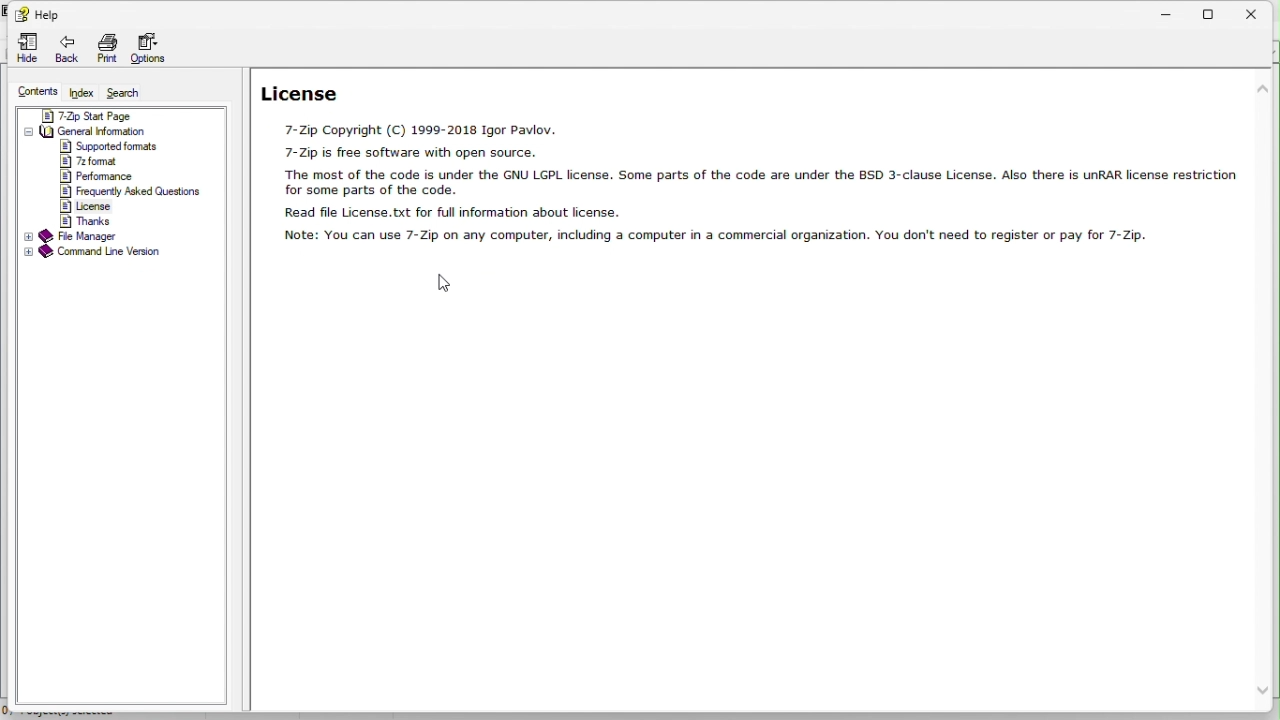 The width and height of the screenshot is (1280, 720). I want to click on 7 zip start page, so click(83, 115).